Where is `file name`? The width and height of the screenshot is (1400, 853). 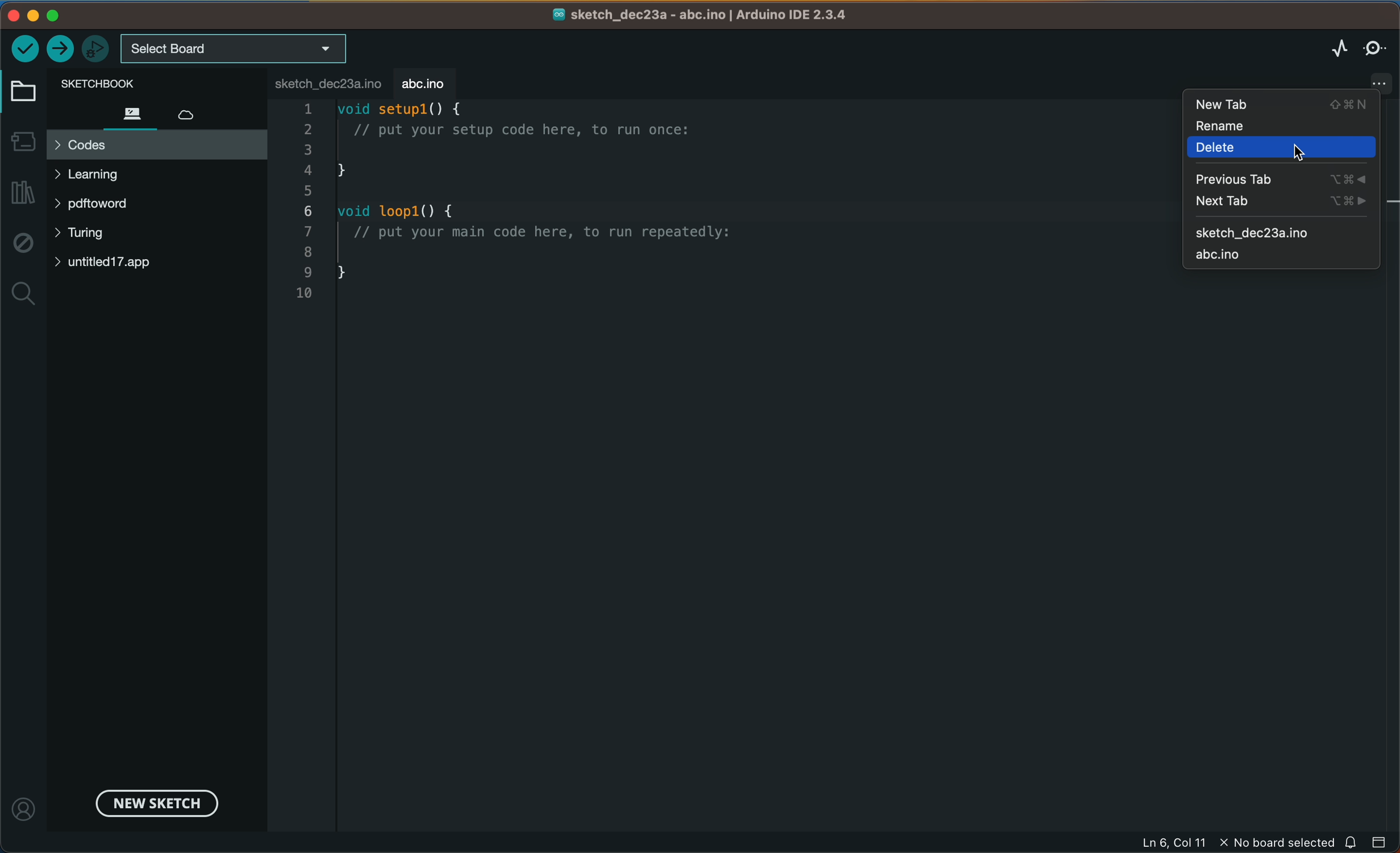
file name is located at coordinates (706, 15).